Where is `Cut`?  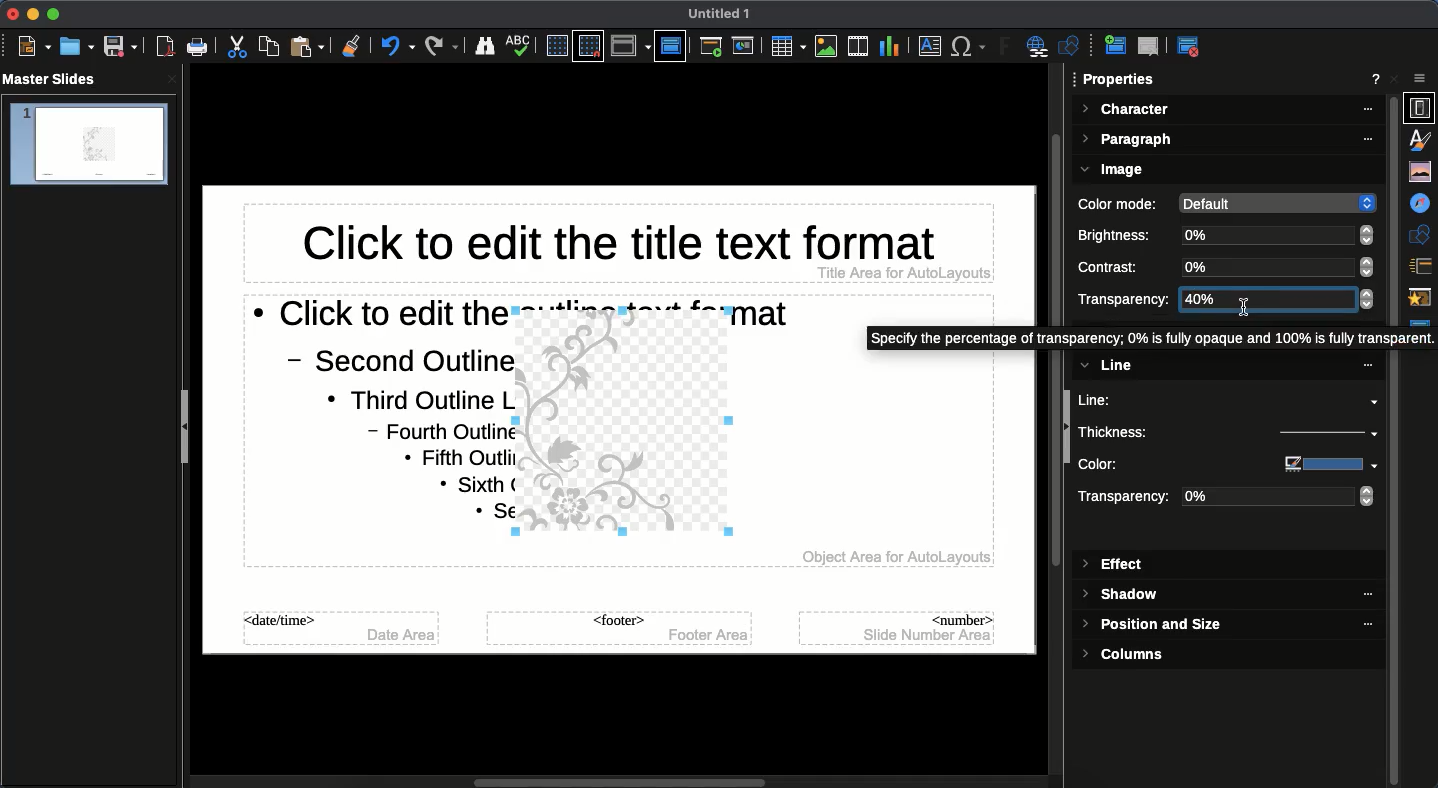 Cut is located at coordinates (240, 47).